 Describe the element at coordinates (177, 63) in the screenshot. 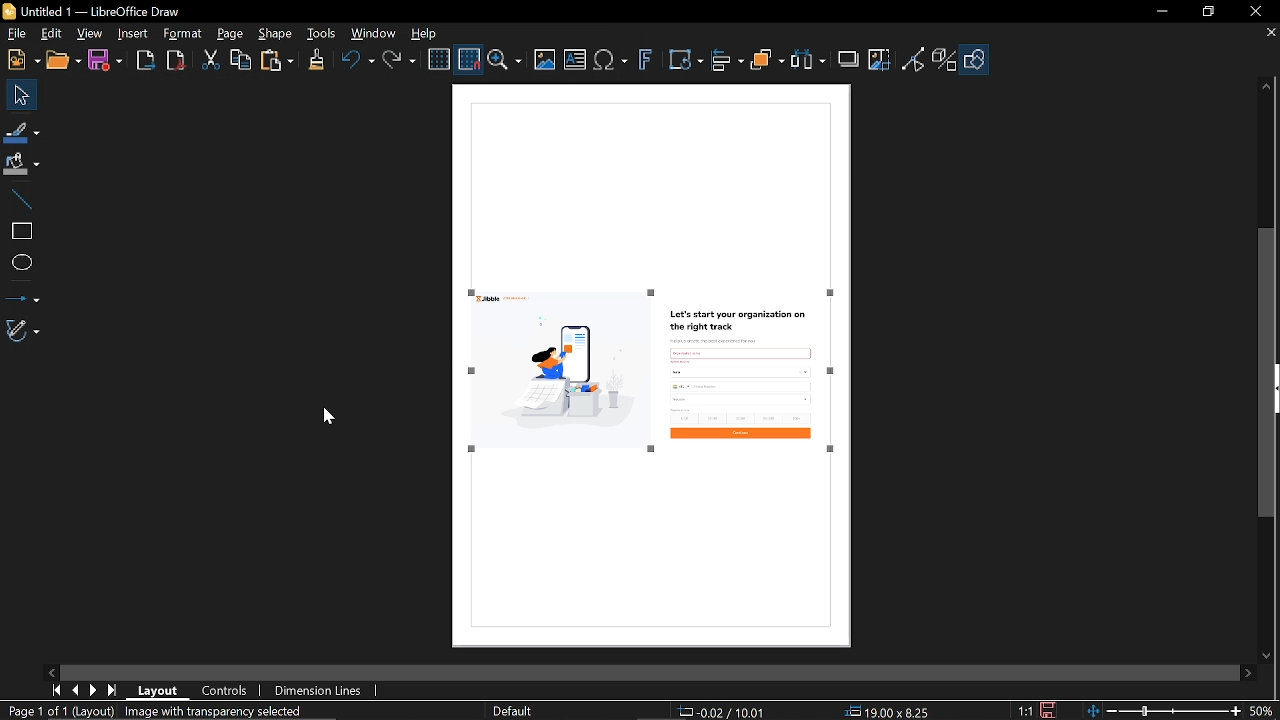

I see `Export PDF` at that location.